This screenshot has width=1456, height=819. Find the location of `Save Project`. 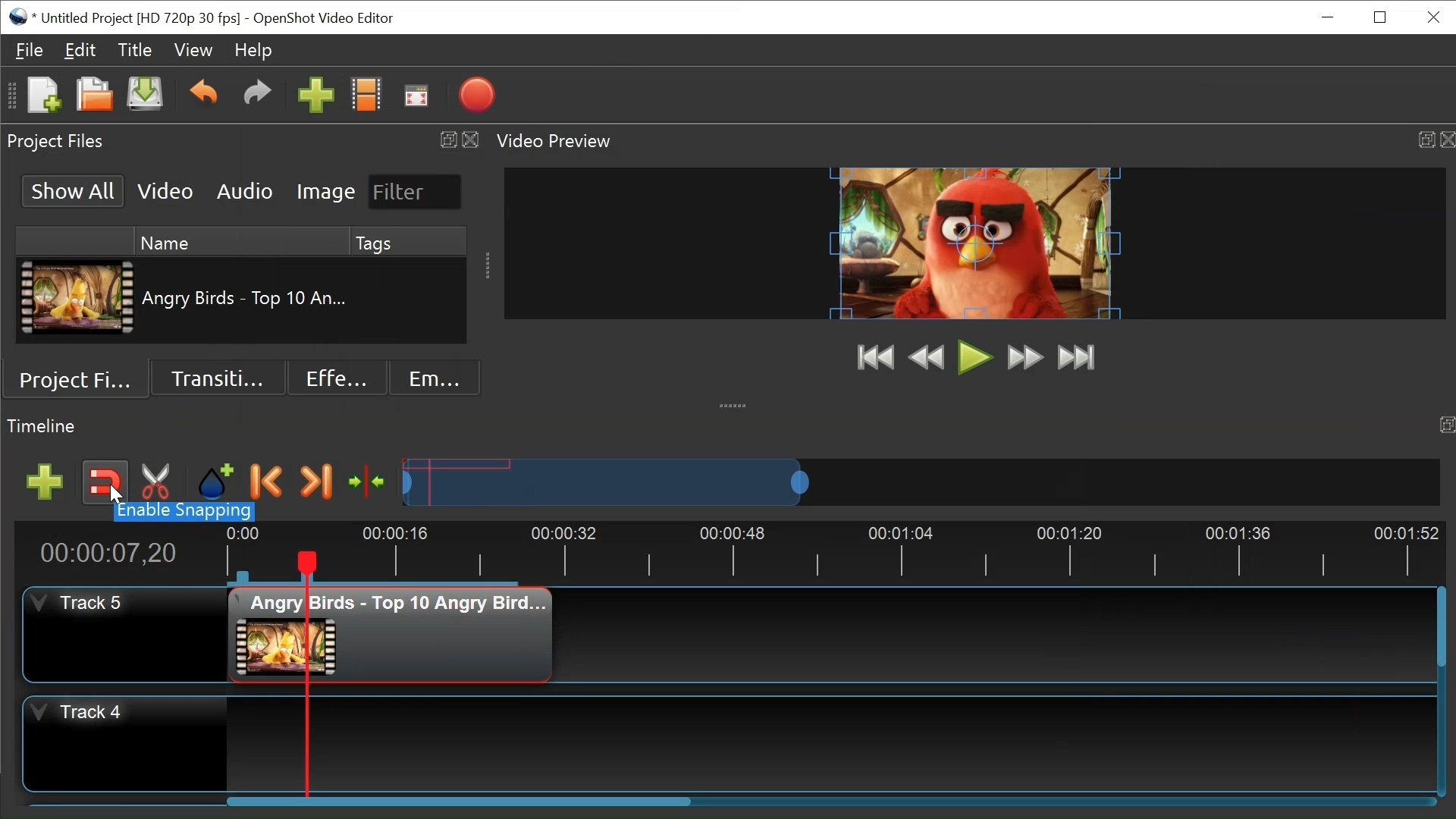

Save Project is located at coordinates (144, 95).